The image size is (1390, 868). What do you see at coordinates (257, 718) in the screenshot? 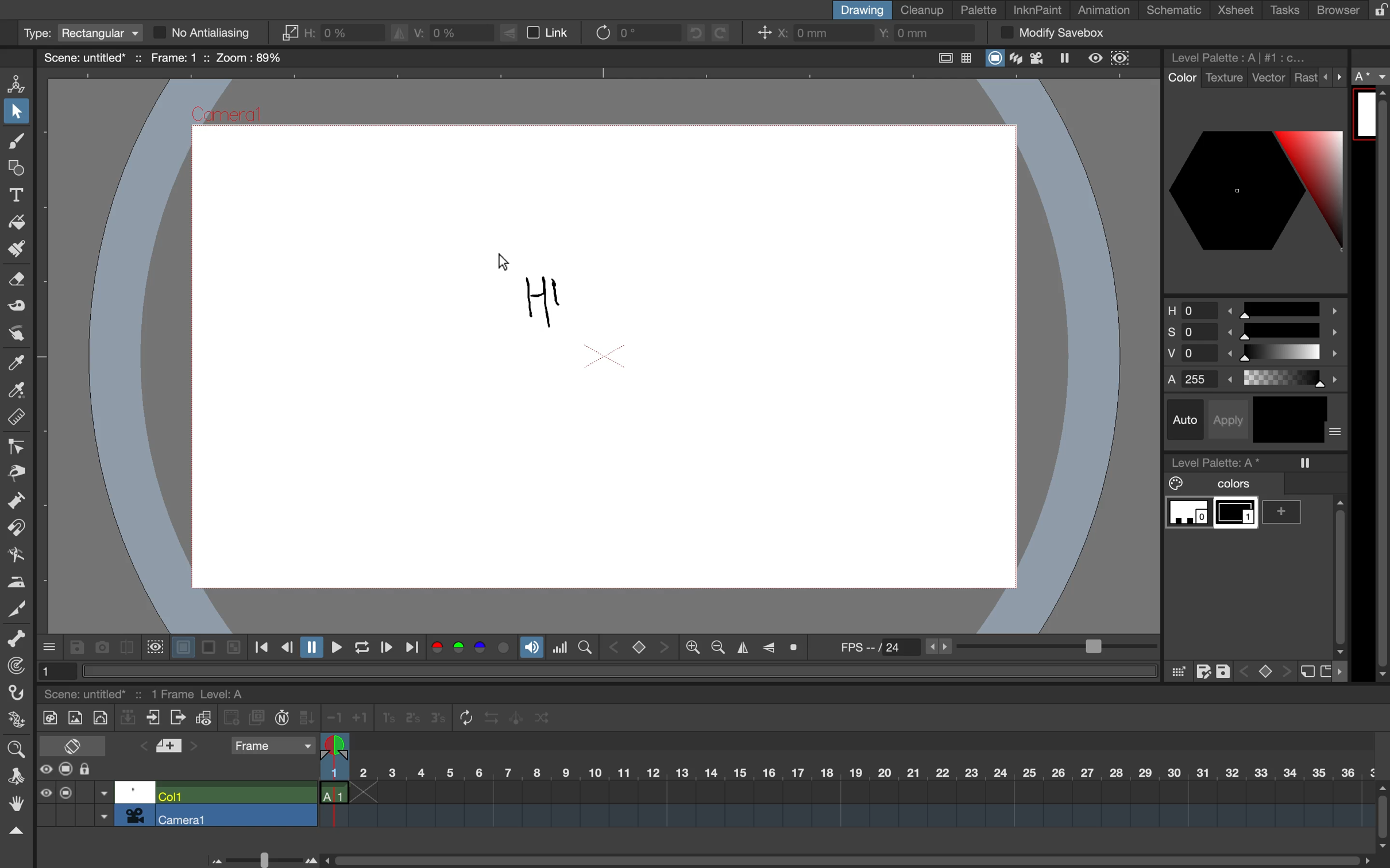
I see `duplicate drawing` at bounding box center [257, 718].